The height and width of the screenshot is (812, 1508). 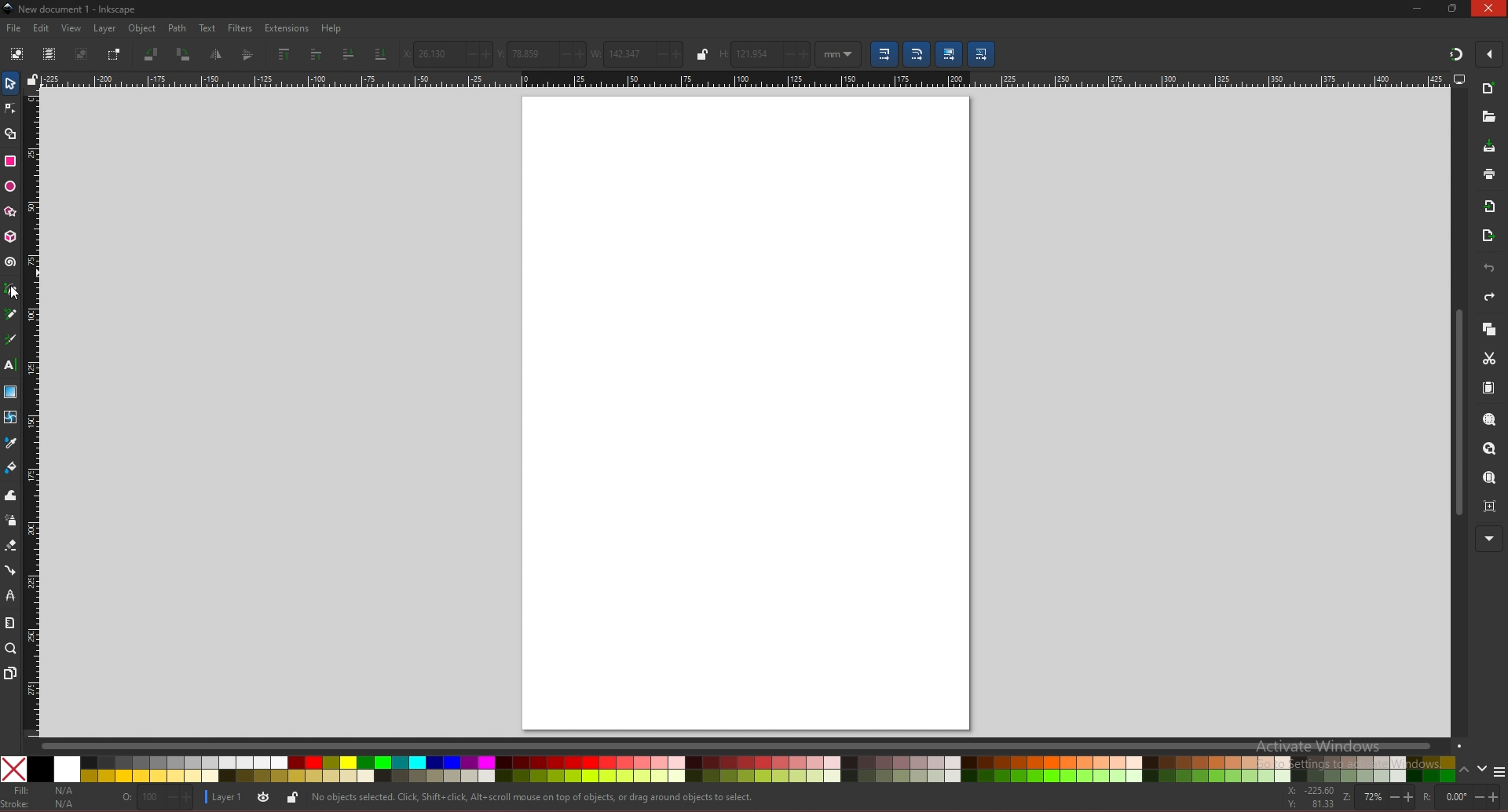 What do you see at coordinates (950, 54) in the screenshot?
I see `move gradient` at bounding box center [950, 54].